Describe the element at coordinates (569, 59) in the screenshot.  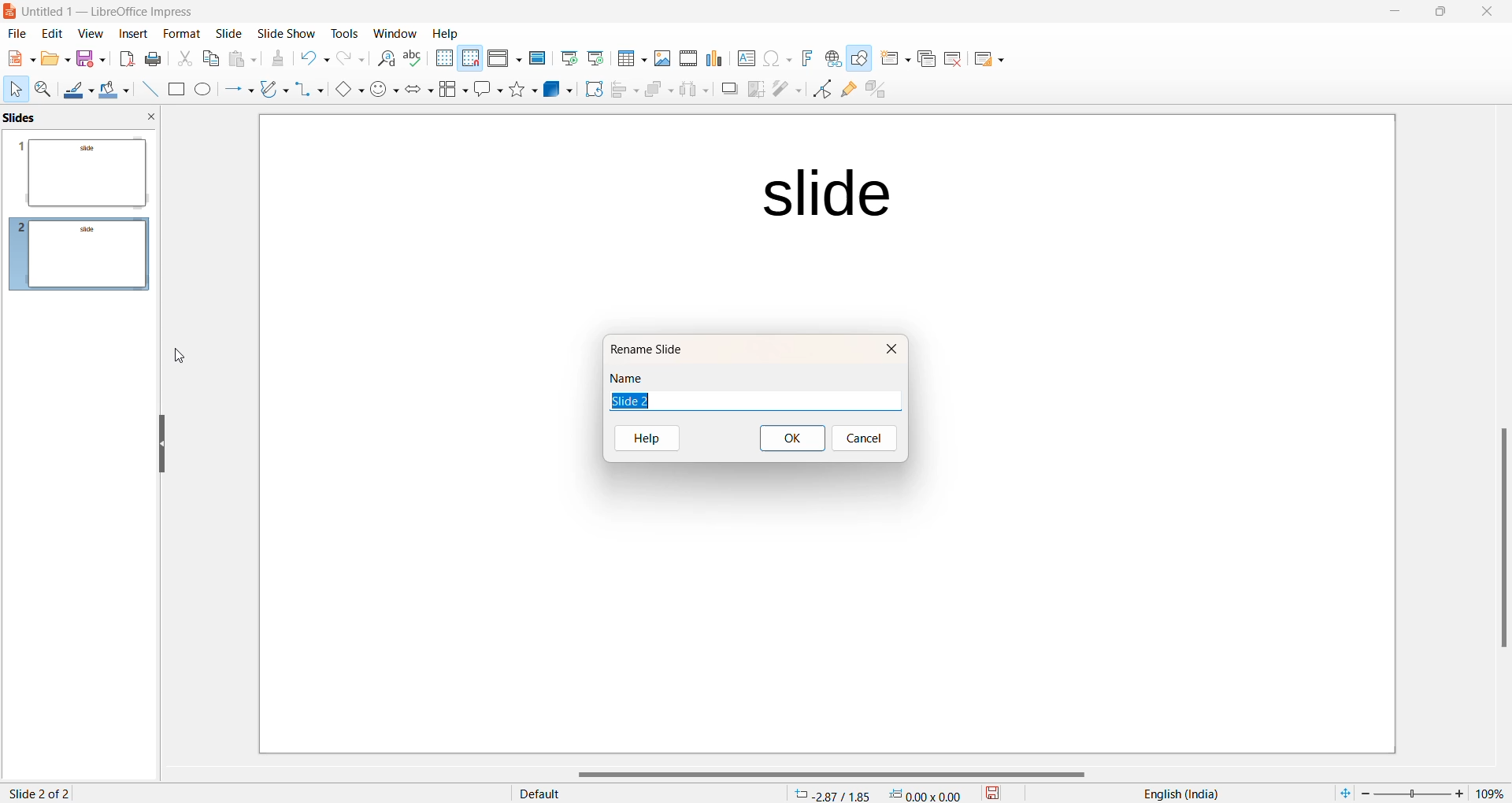
I see `Start from first slide` at that location.